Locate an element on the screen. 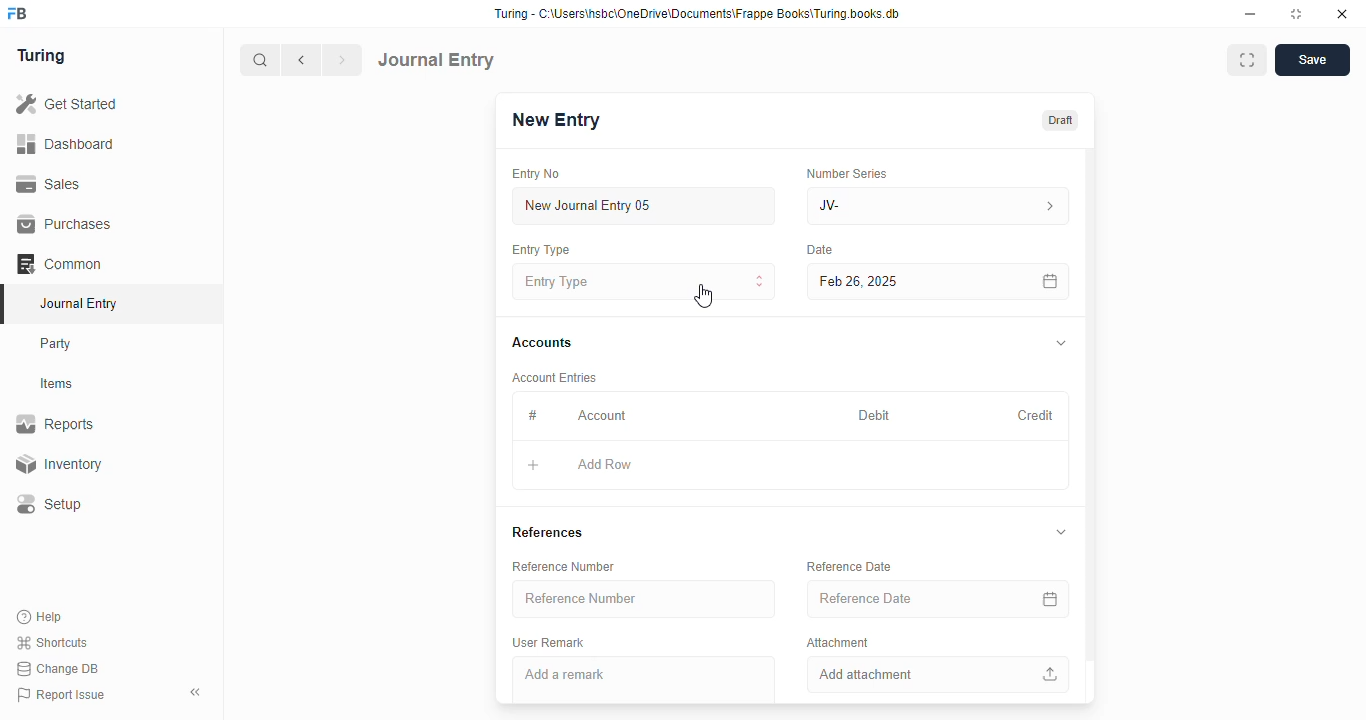  calendar icon is located at coordinates (1050, 599).